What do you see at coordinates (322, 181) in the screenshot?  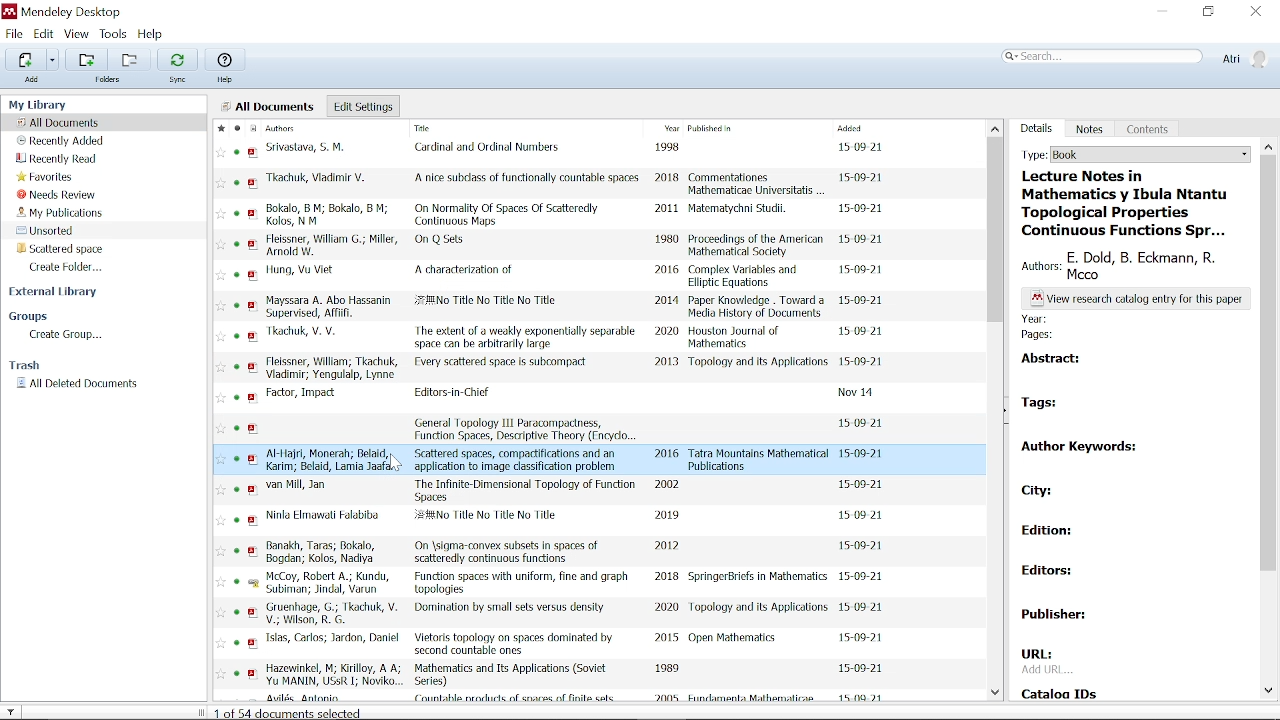 I see `authors` at bounding box center [322, 181].